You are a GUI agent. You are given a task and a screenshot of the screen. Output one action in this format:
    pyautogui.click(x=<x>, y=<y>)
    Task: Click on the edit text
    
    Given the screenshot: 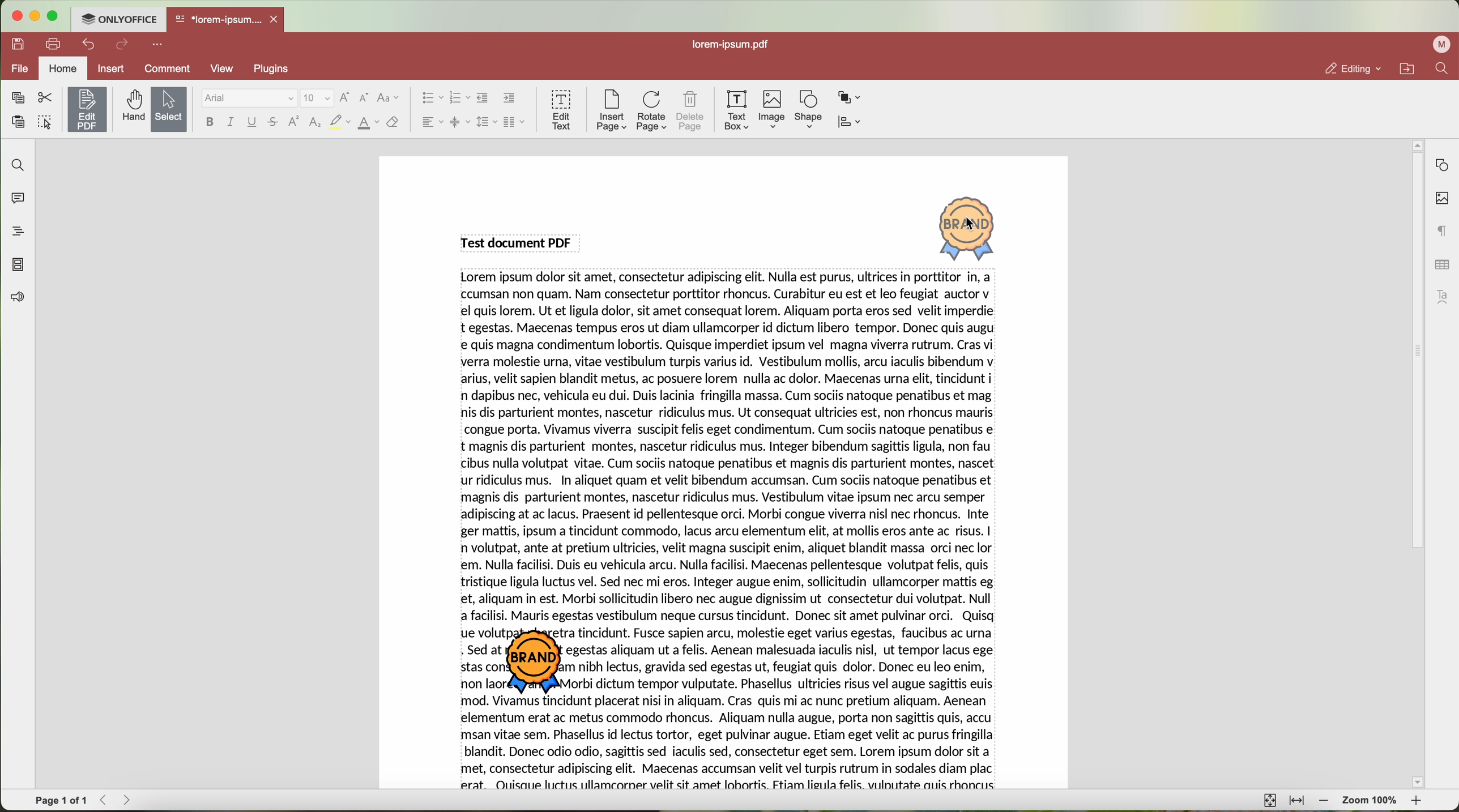 What is the action you would take?
    pyautogui.click(x=562, y=109)
    